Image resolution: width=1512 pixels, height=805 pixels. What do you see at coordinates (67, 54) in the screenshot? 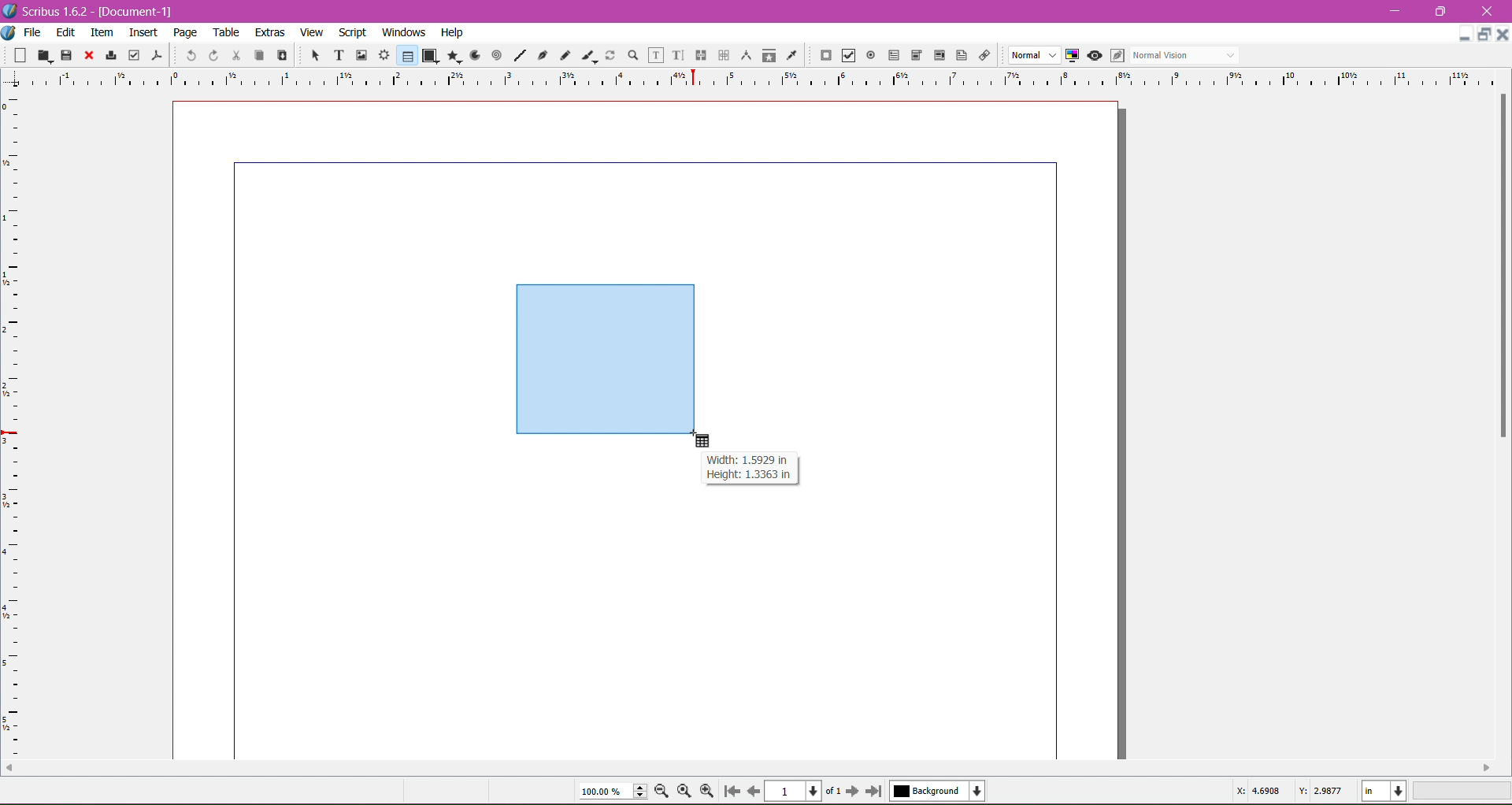
I see `Save` at bounding box center [67, 54].